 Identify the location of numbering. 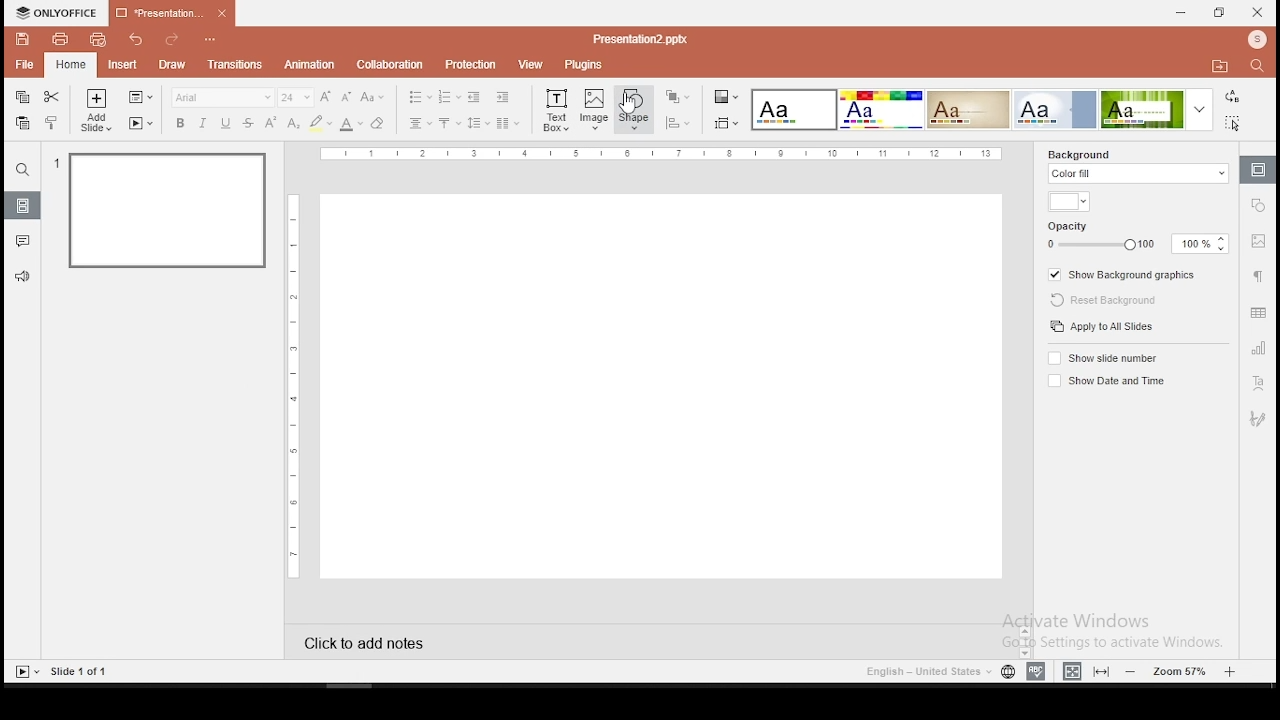
(450, 96).